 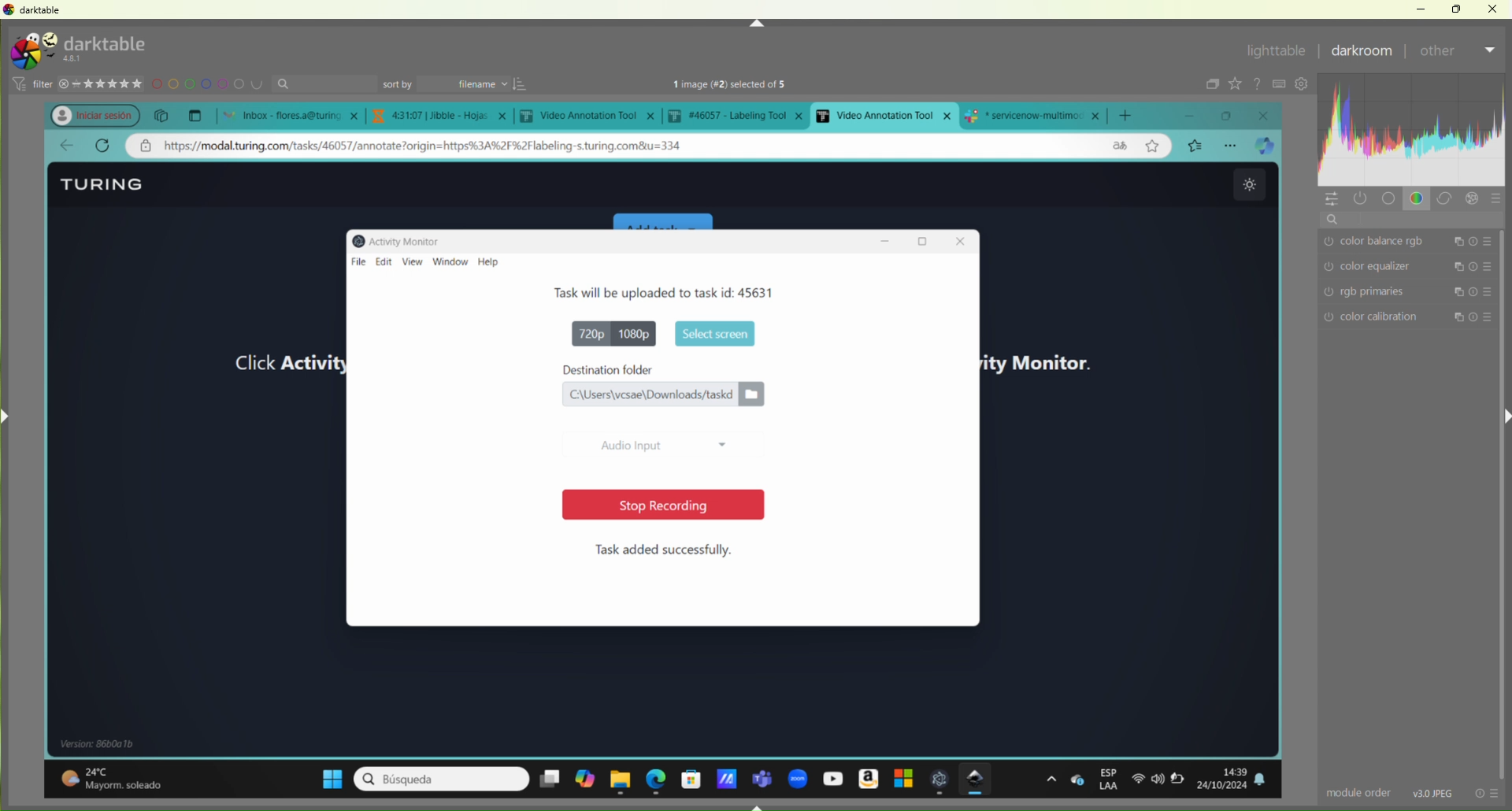 I want to click on wifi, so click(x=1136, y=783).